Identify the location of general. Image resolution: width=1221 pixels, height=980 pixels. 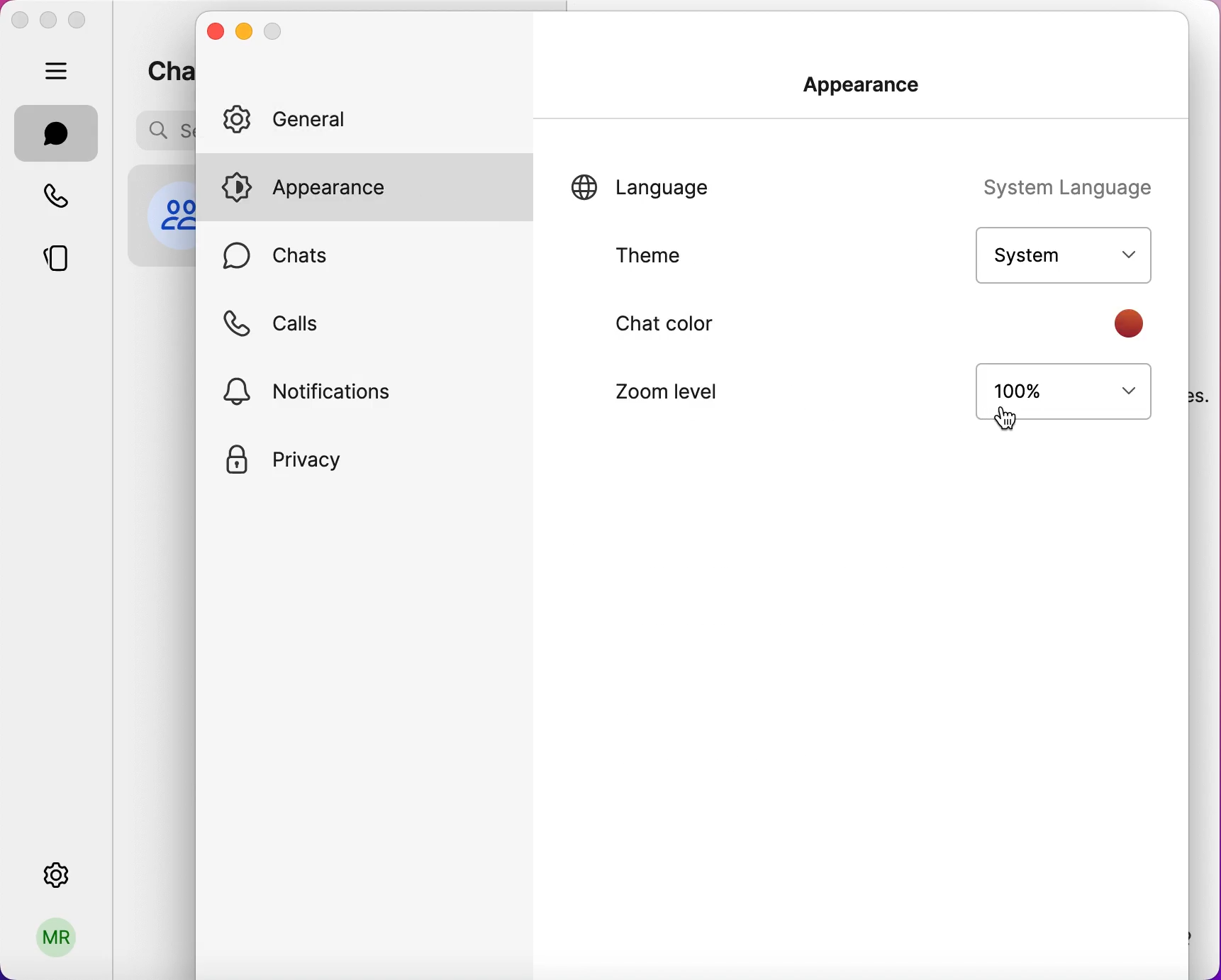
(379, 117).